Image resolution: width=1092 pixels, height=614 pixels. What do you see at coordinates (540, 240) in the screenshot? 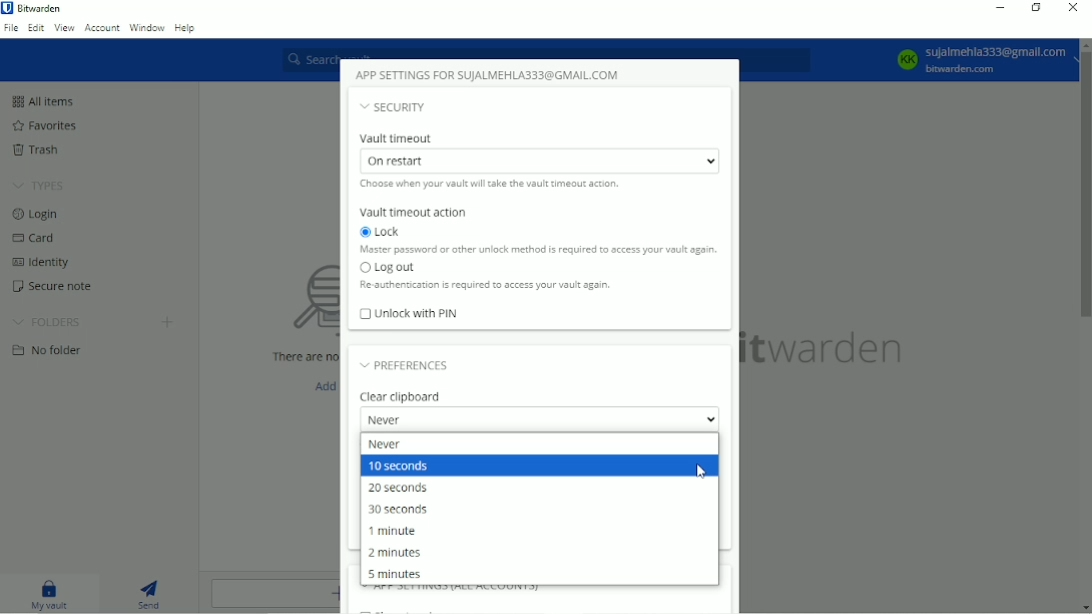
I see `Lock` at bounding box center [540, 240].